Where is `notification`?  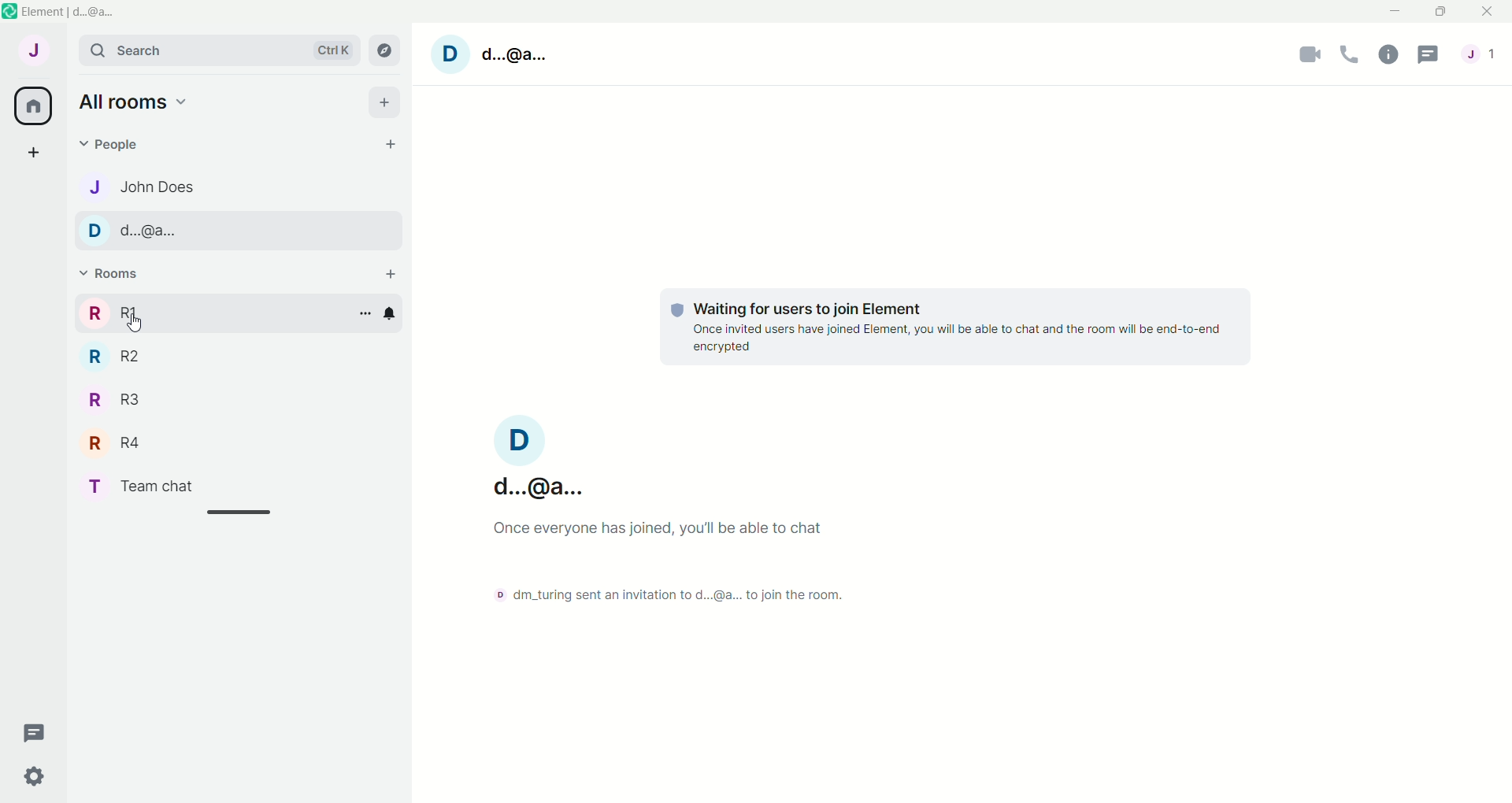
notification is located at coordinates (391, 316).